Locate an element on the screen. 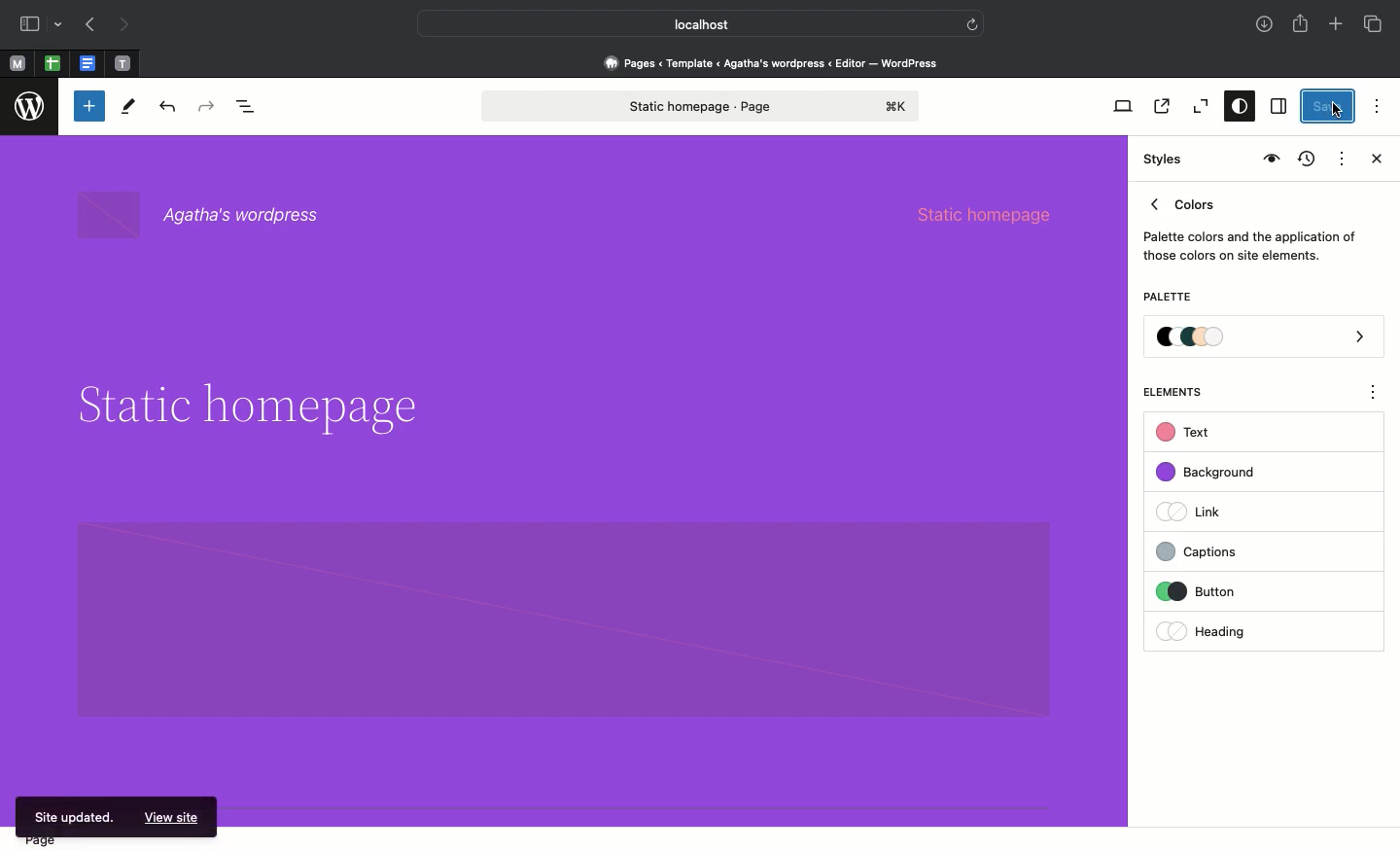 The height and width of the screenshot is (850, 1400). Tools is located at coordinates (129, 111).